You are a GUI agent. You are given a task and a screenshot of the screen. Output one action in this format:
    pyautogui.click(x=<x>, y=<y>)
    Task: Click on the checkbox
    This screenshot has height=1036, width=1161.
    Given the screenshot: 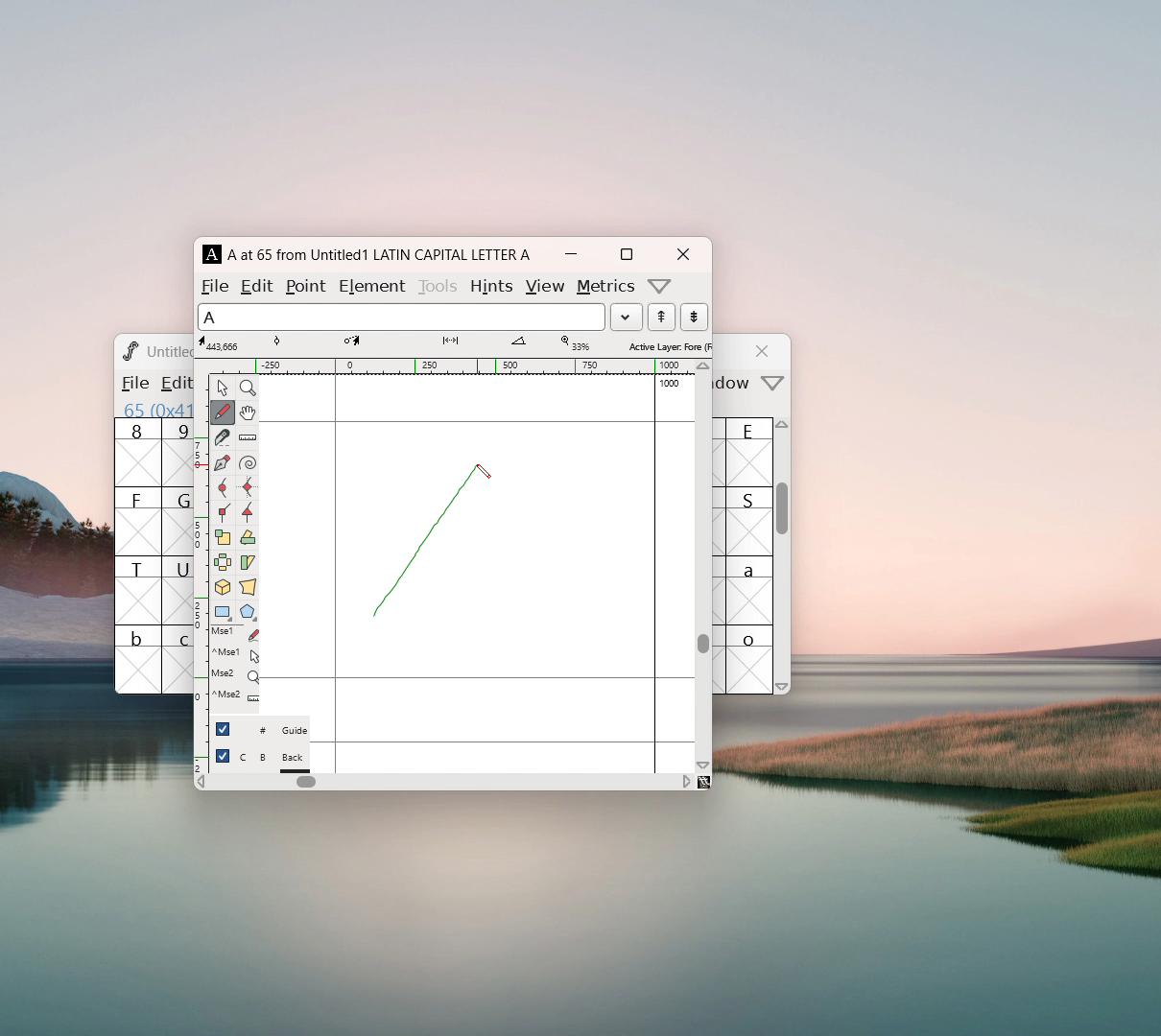 What is the action you would take?
    pyautogui.click(x=223, y=756)
    